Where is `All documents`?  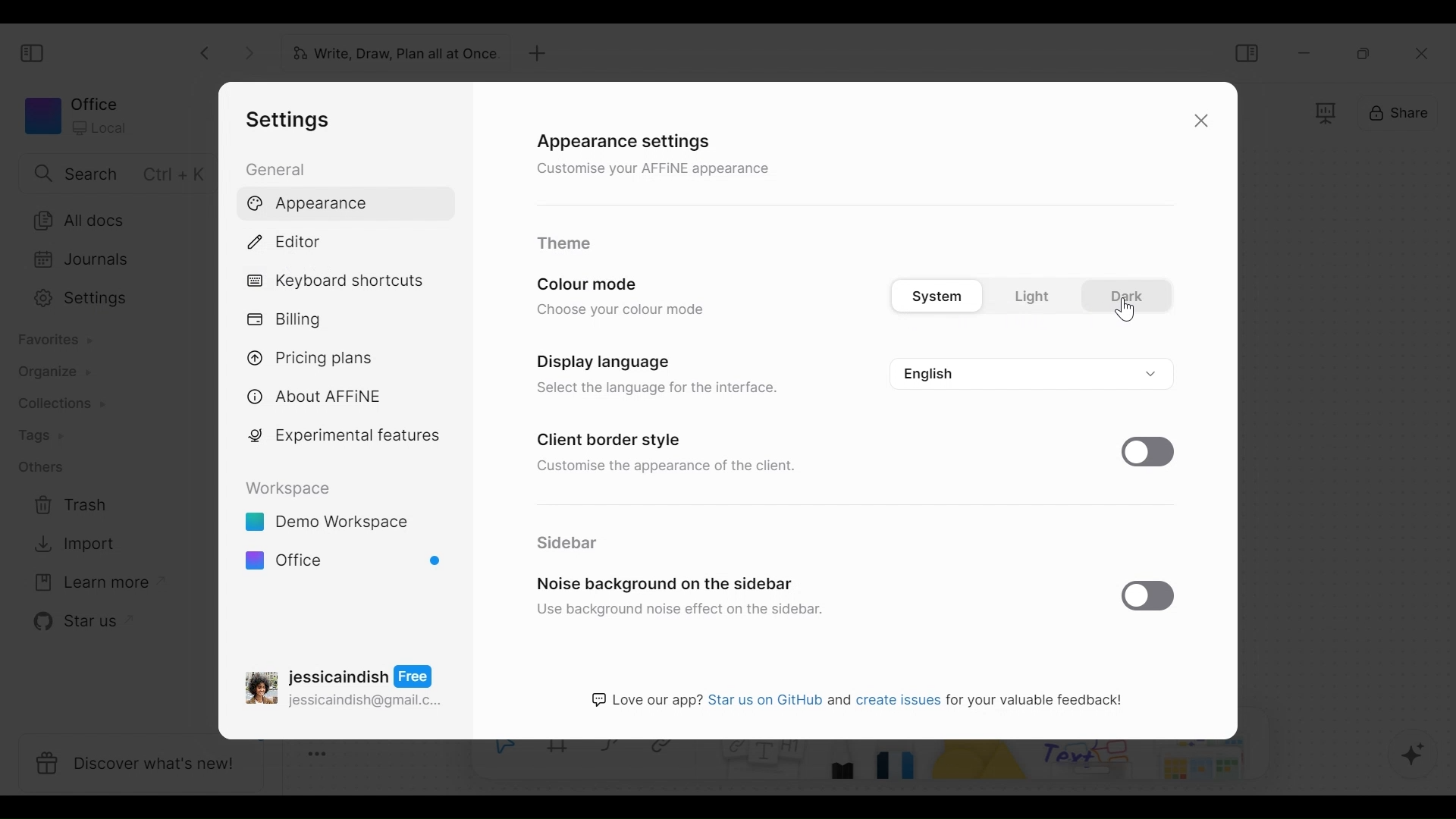
All documents is located at coordinates (78, 220).